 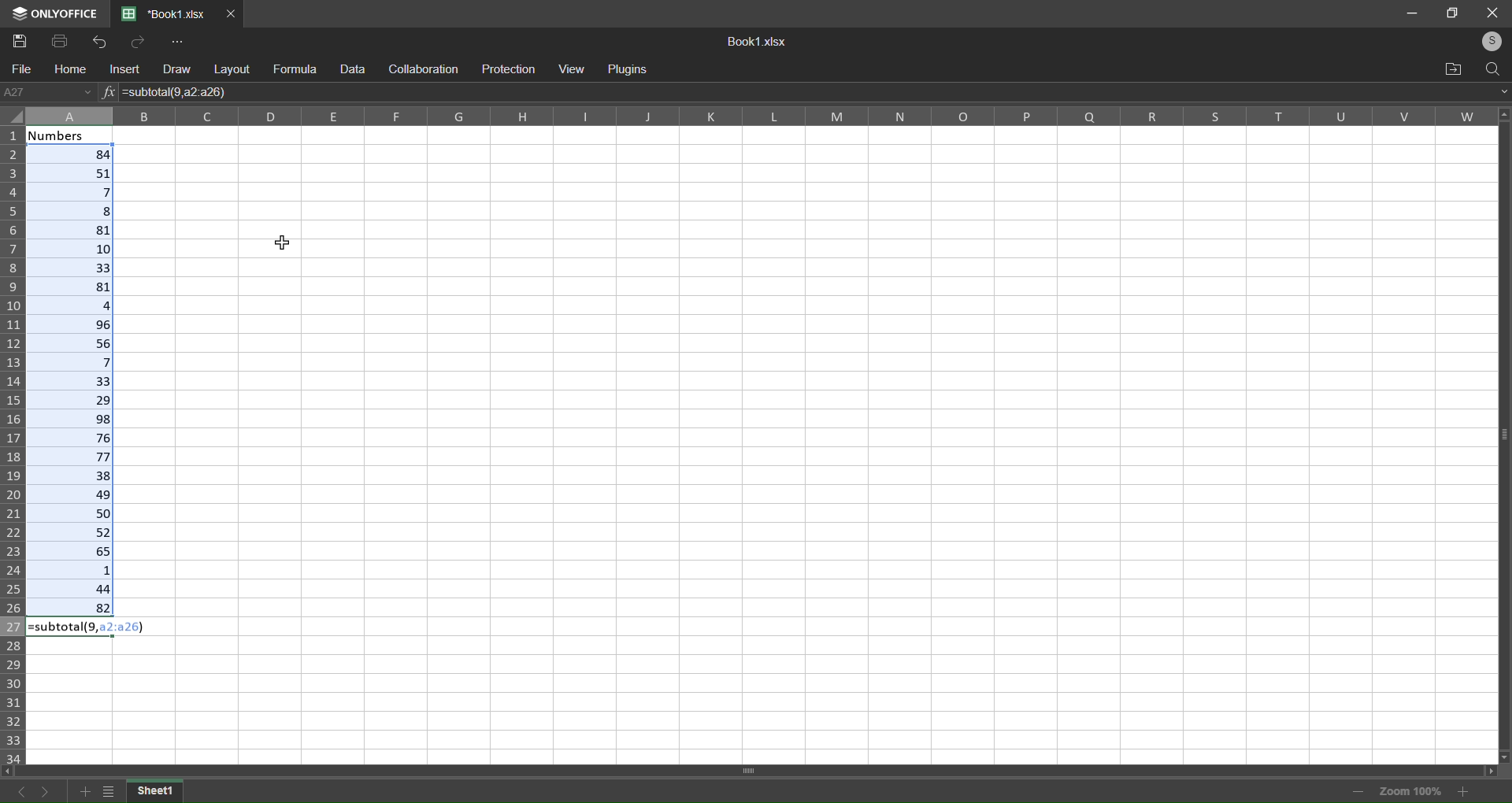 What do you see at coordinates (425, 69) in the screenshot?
I see `collaboration` at bounding box center [425, 69].